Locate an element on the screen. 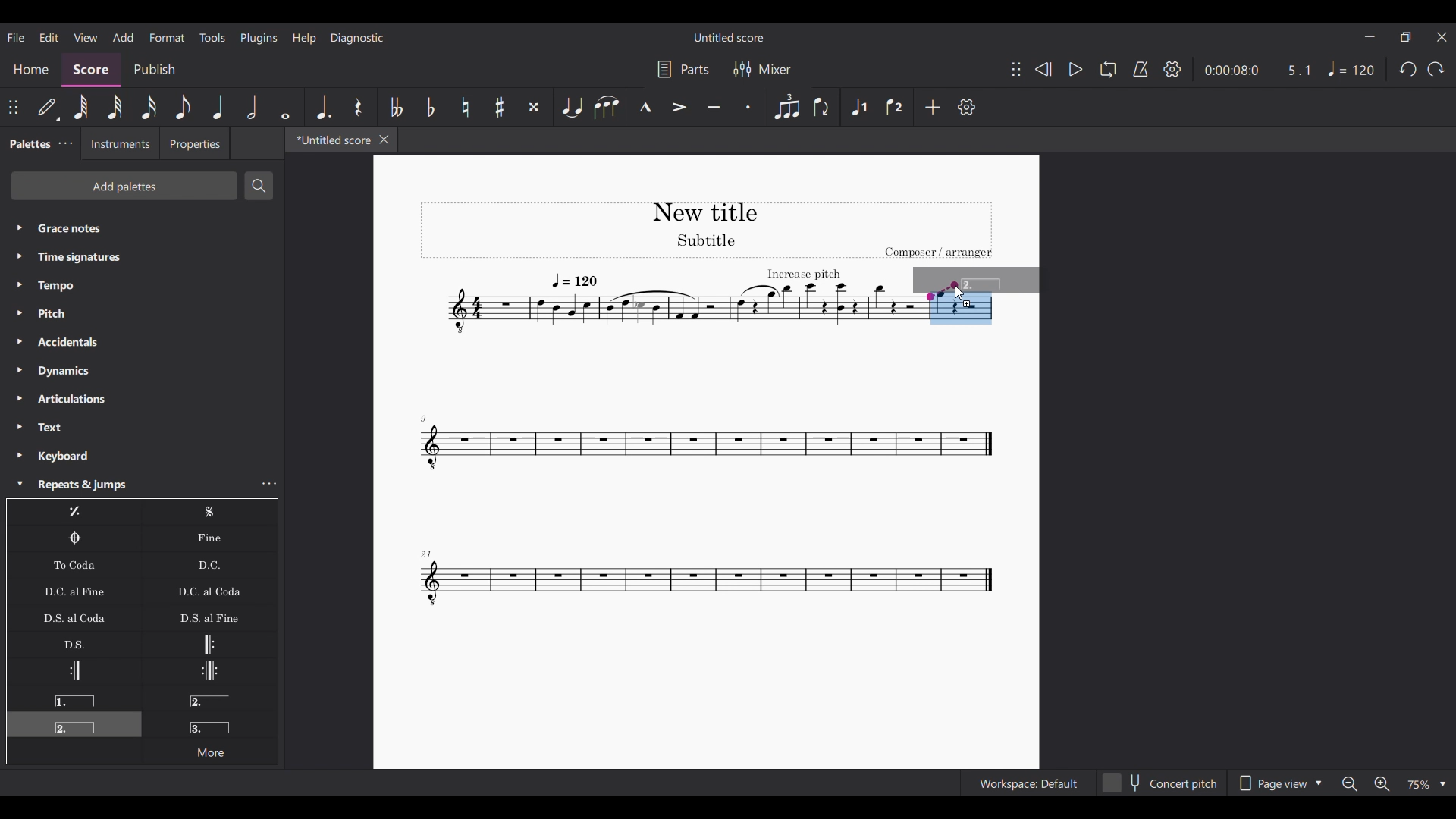 Image resolution: width=1456 pixels, height=819 pixels. Toggle double sharp is located at coordinates (535, 107).